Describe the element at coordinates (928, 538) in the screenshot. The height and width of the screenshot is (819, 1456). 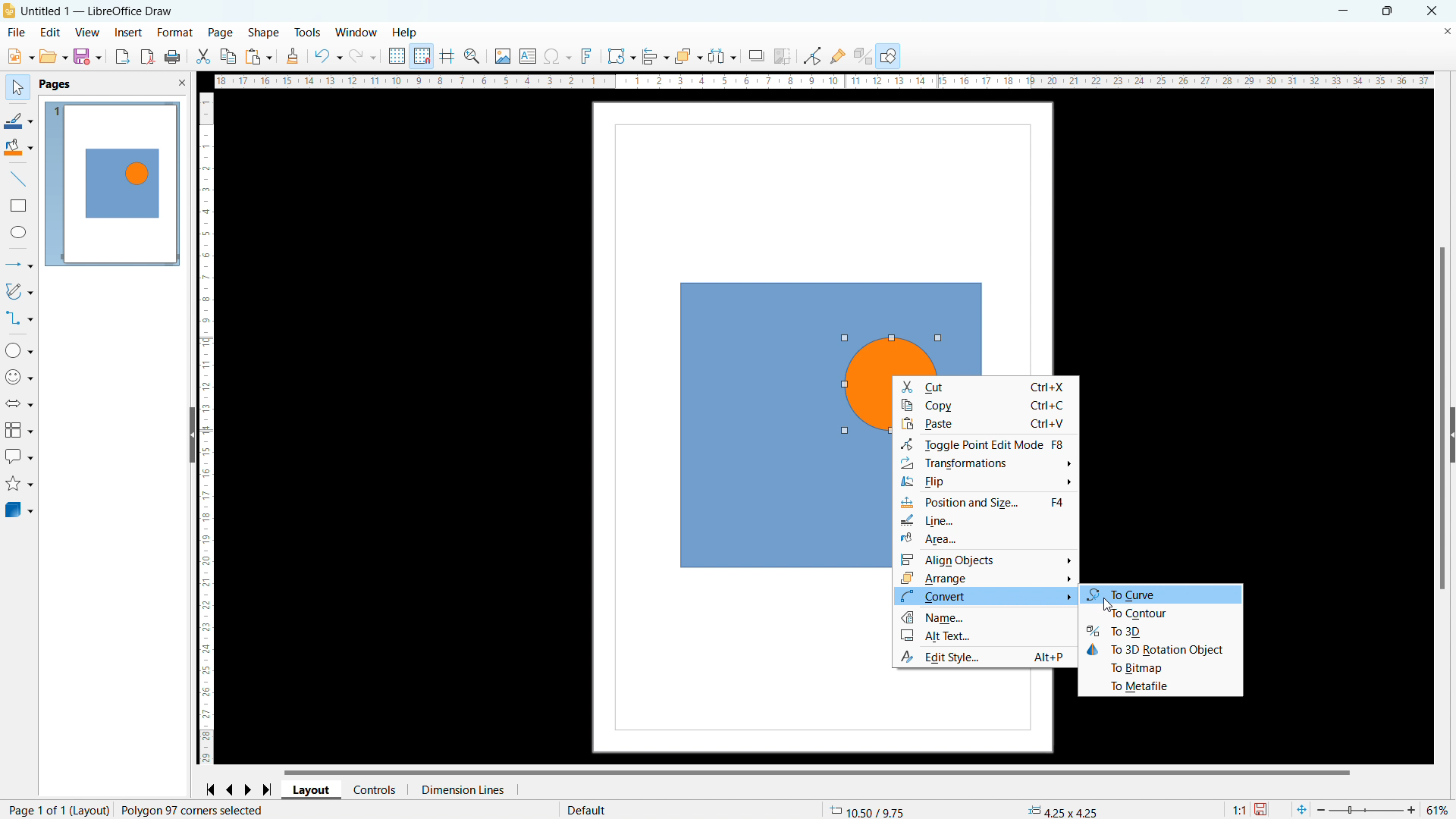
I see `Area` at that location.